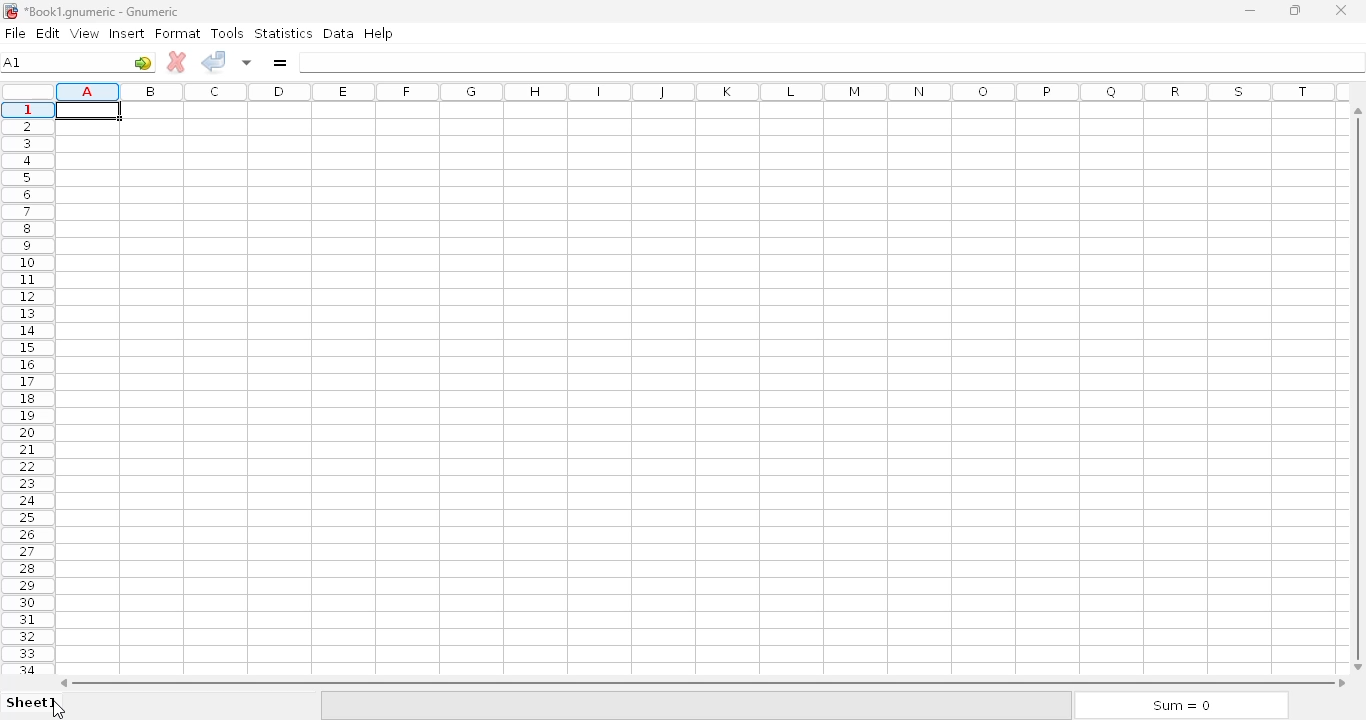 This screenshot has width=1366, height=720. Describe the element at coordinates (143, 62) in the screenshot. I see `go-to` at that location.